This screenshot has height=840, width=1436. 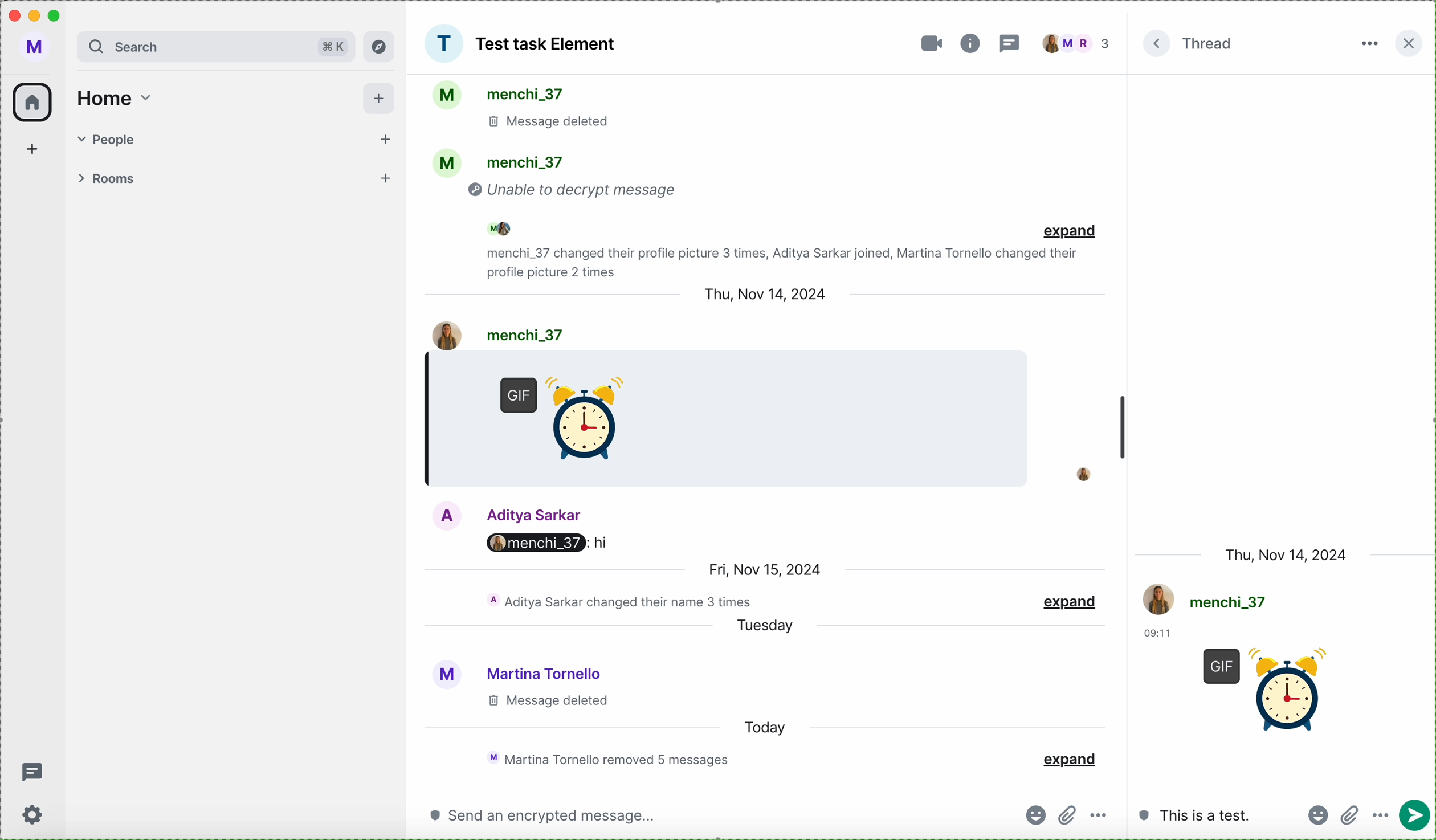 I want to click on tuesday, so click(x=771, y=626).